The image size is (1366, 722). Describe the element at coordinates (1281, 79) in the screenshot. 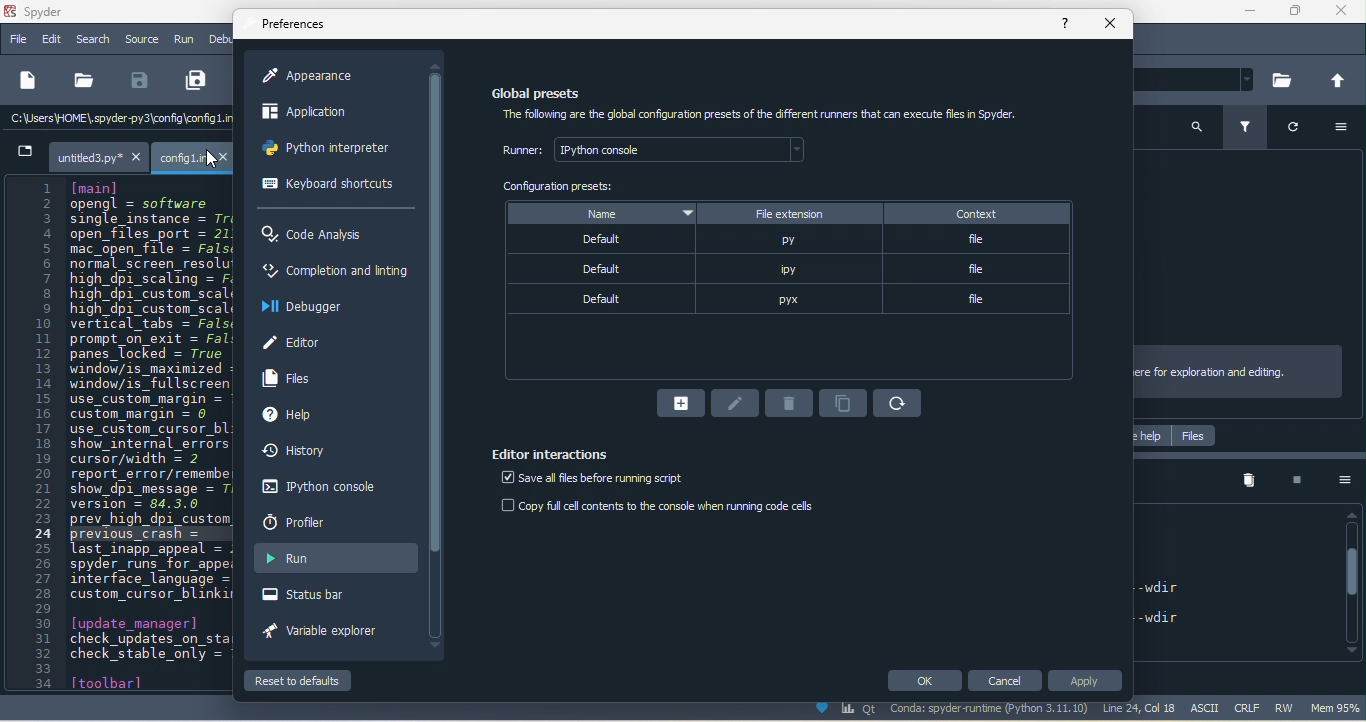

I see `browse` at that location.